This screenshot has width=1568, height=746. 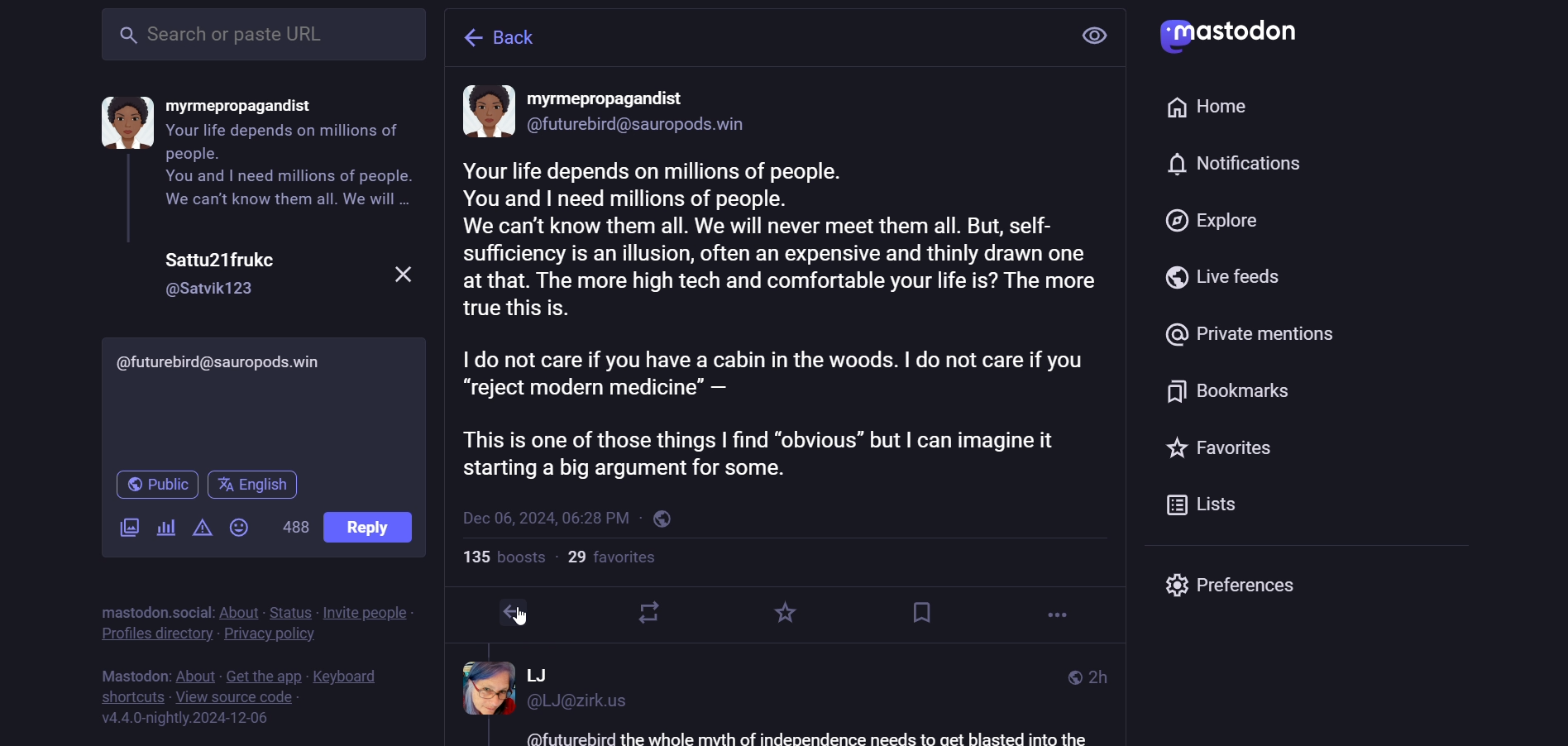 What do you see at coordinates (1221, 450) in the screenshot?
I see `favorite` at bounding box center [1221, 450].